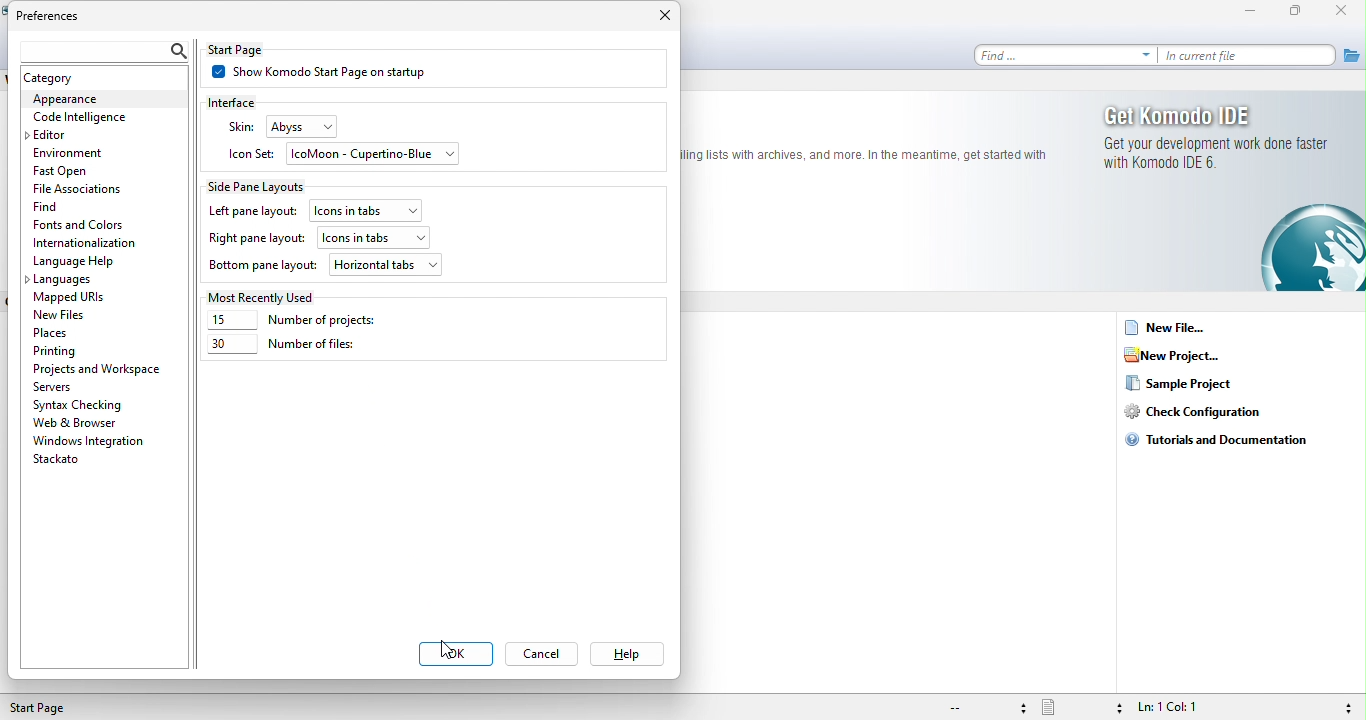 This screenshot has height=720, width=1366. Describe the element at coordinates (245, 101) in the screenshot. I see `interface` at that location.